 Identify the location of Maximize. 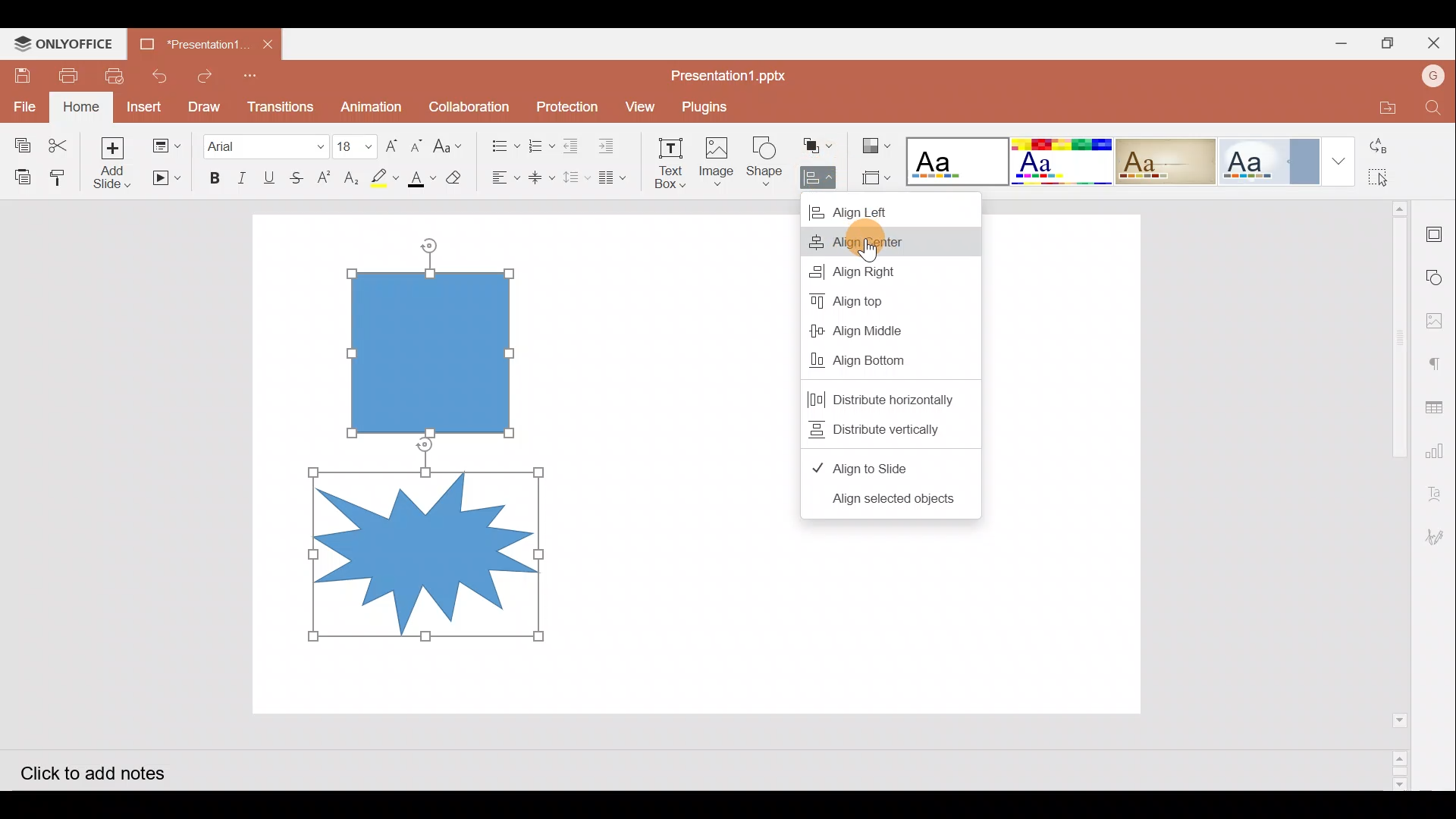
(1391, 42).